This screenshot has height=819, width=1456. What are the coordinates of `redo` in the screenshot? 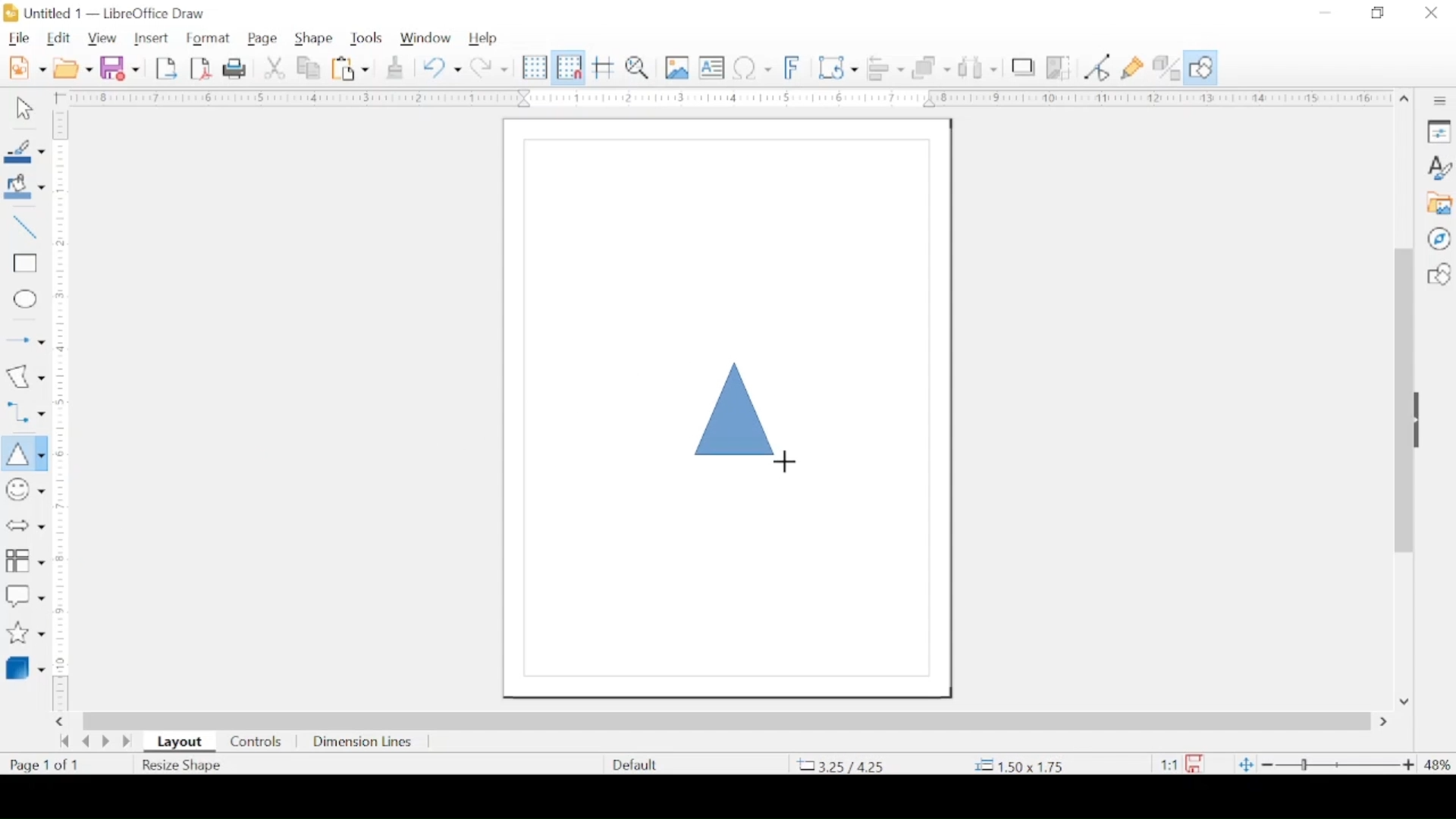 It's located at (491, 67).